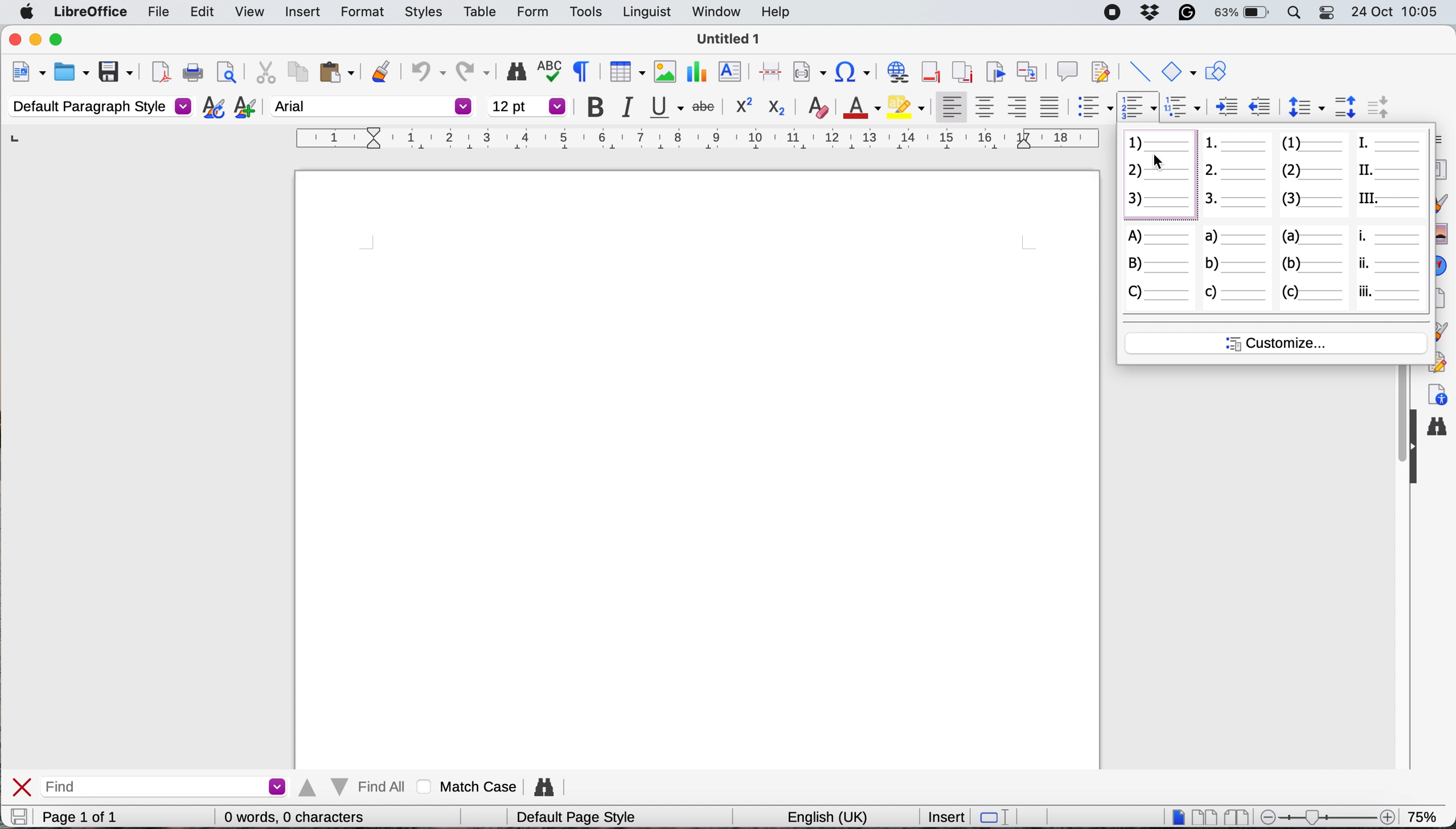 This screenshot has width=1456, height=829. Describe the element at coordinates (854, 72) in the screenshot. I see `insert special character` at that location.